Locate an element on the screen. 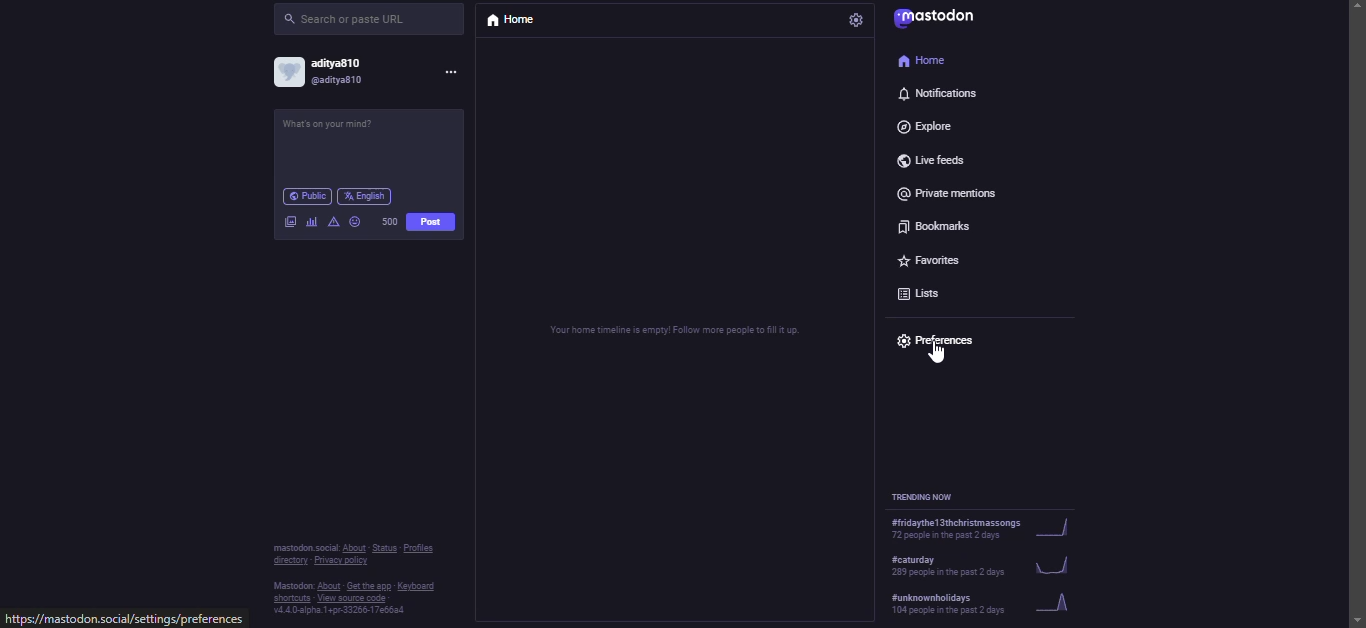 The image size is (1366, 628). Your home timeline is empty! Follow more people to fill it up. is located at coordinates (678, 331).